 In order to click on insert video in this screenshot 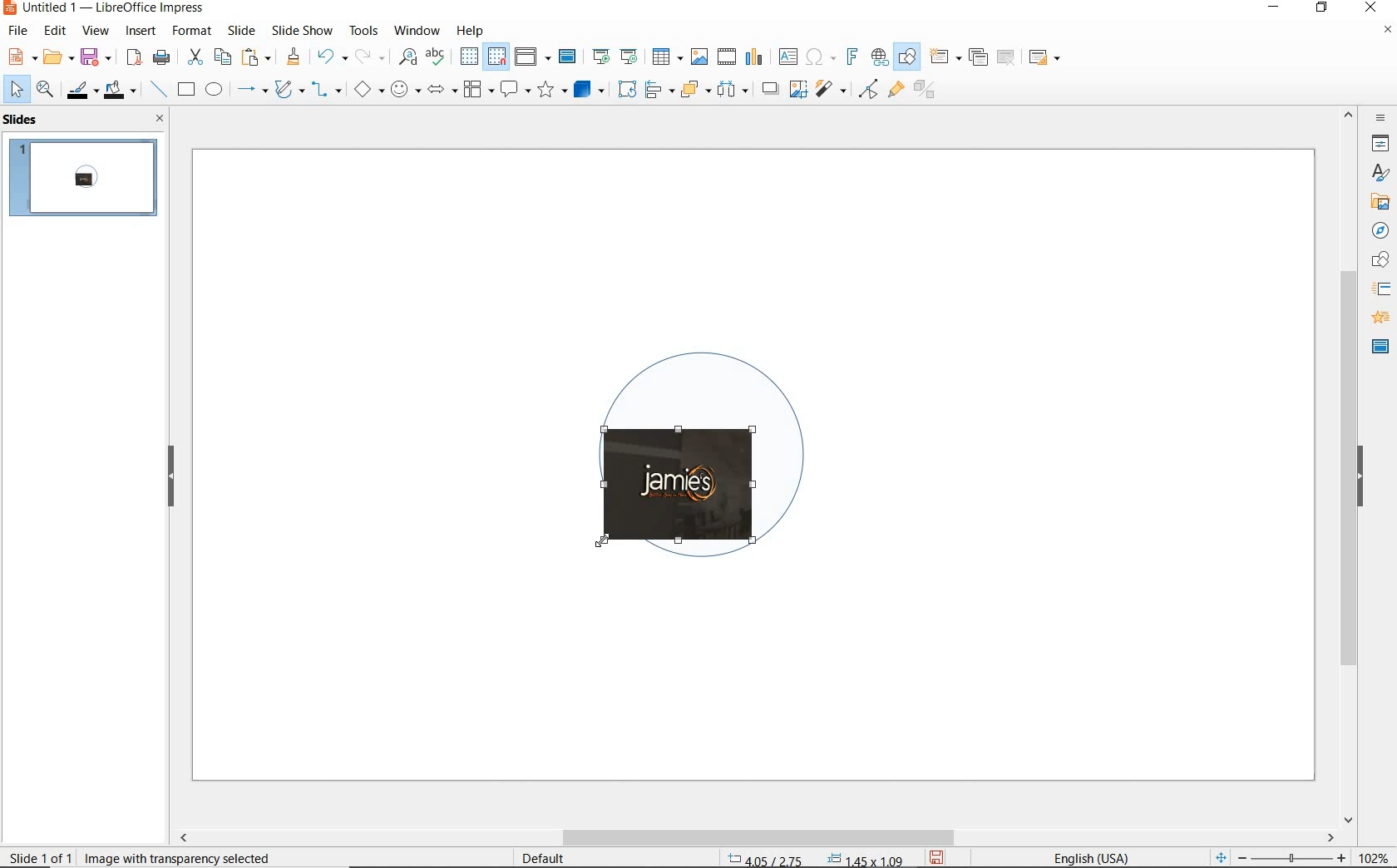, I will do `click(725, 56)`.